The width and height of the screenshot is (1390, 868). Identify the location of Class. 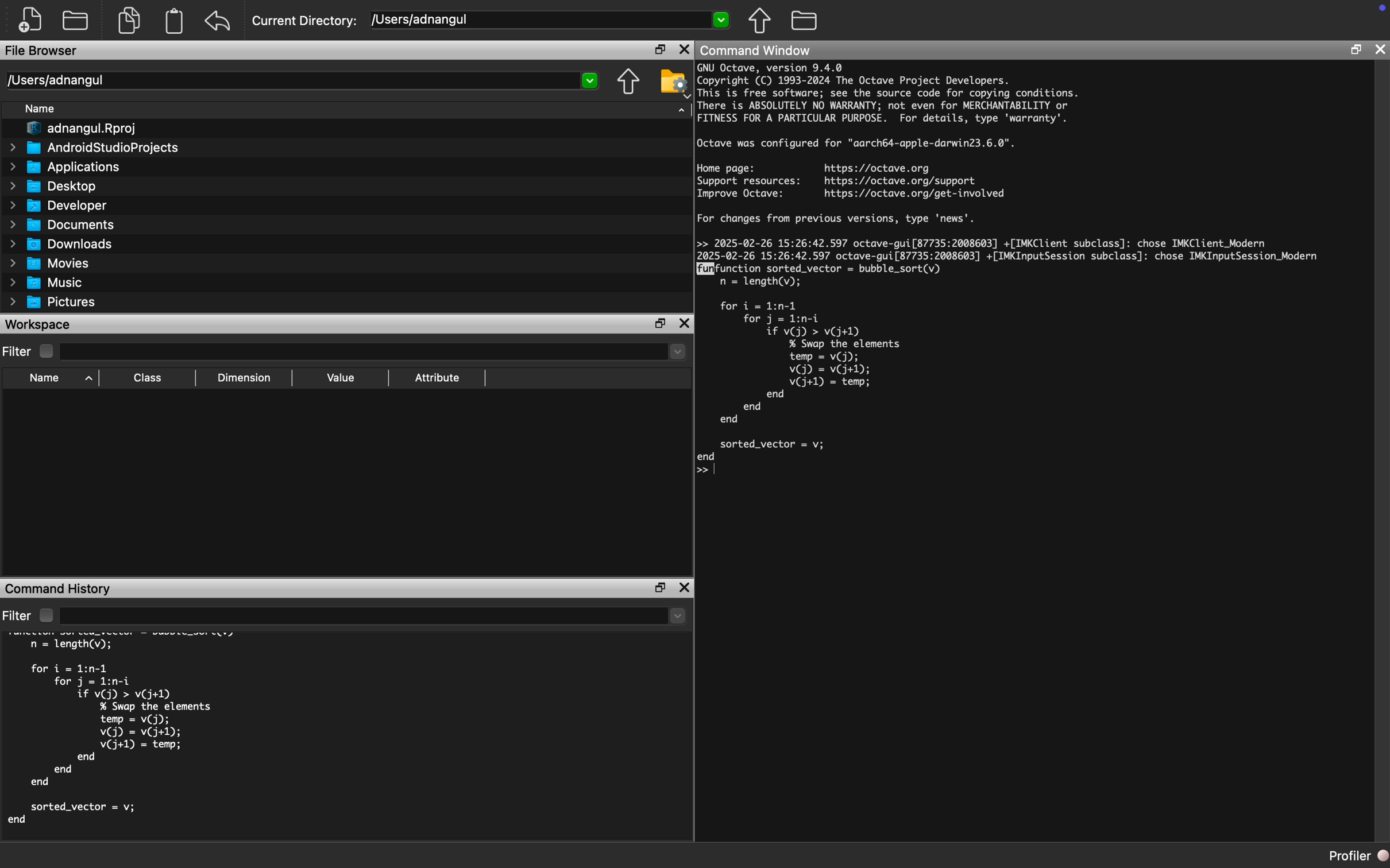
(148, 379).